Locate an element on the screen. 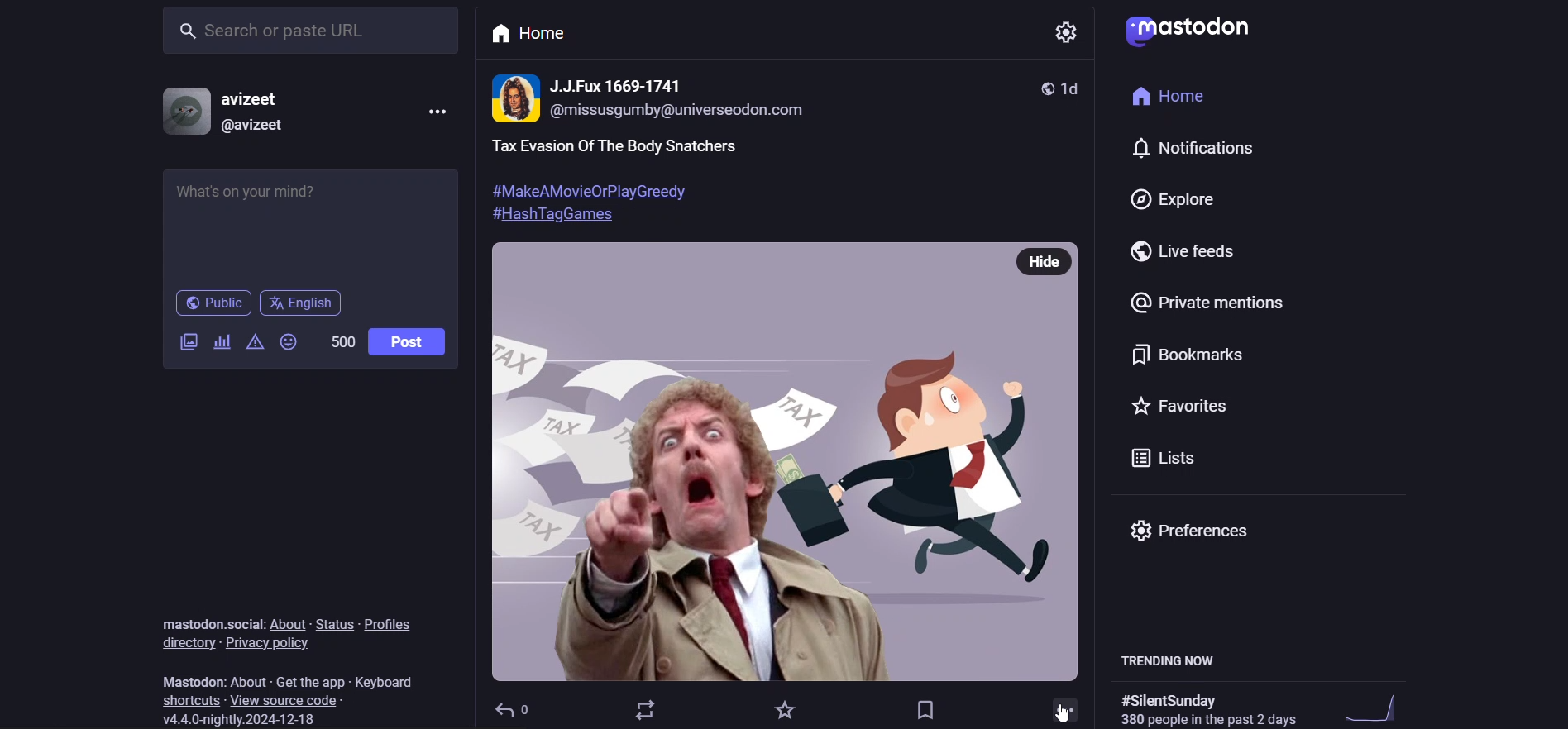 The width and height of the screenshot is (1568, 729). setting is located at coordinates (1069, 31).